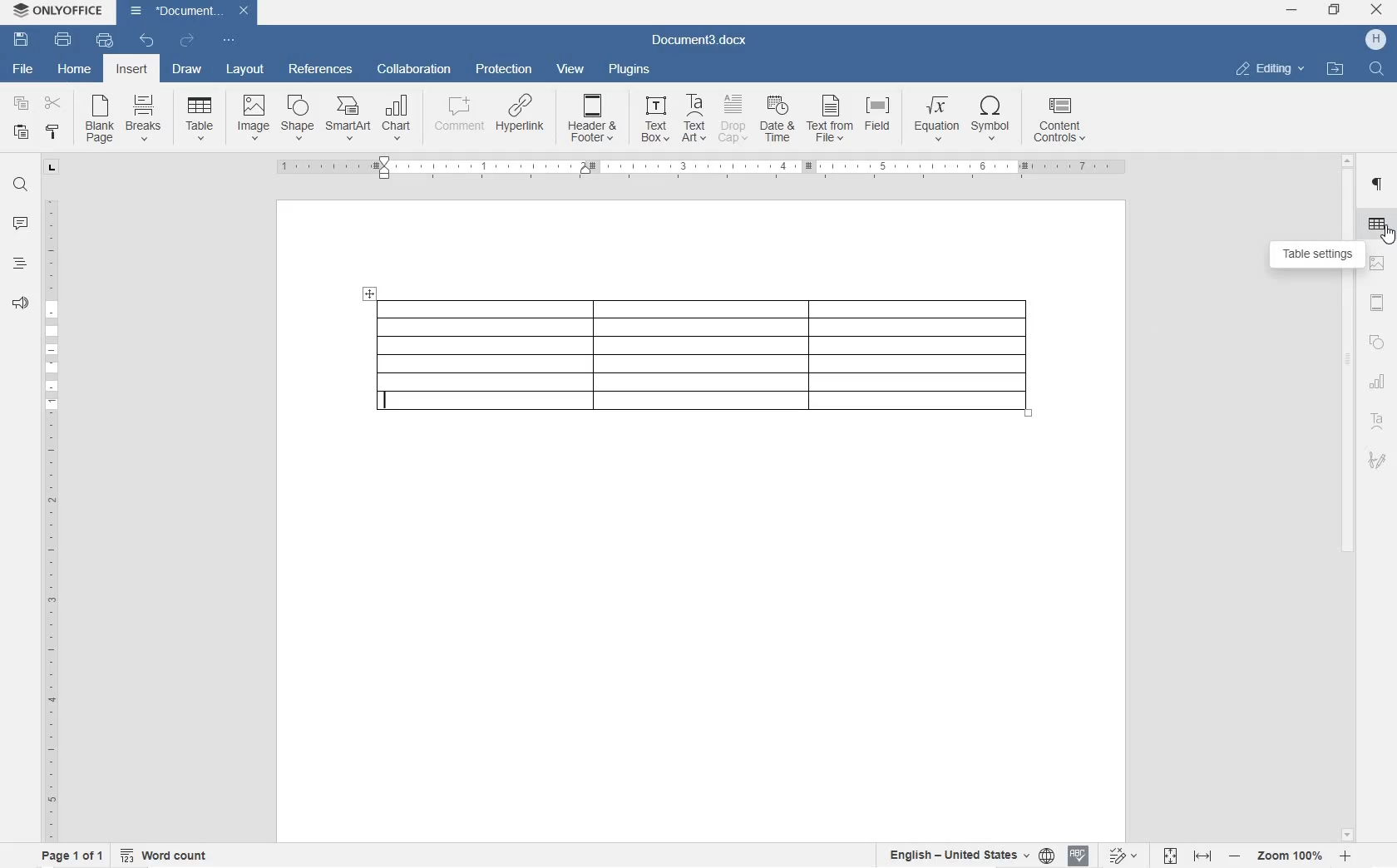  I want to click on LAYOUT, so click(246, 71).